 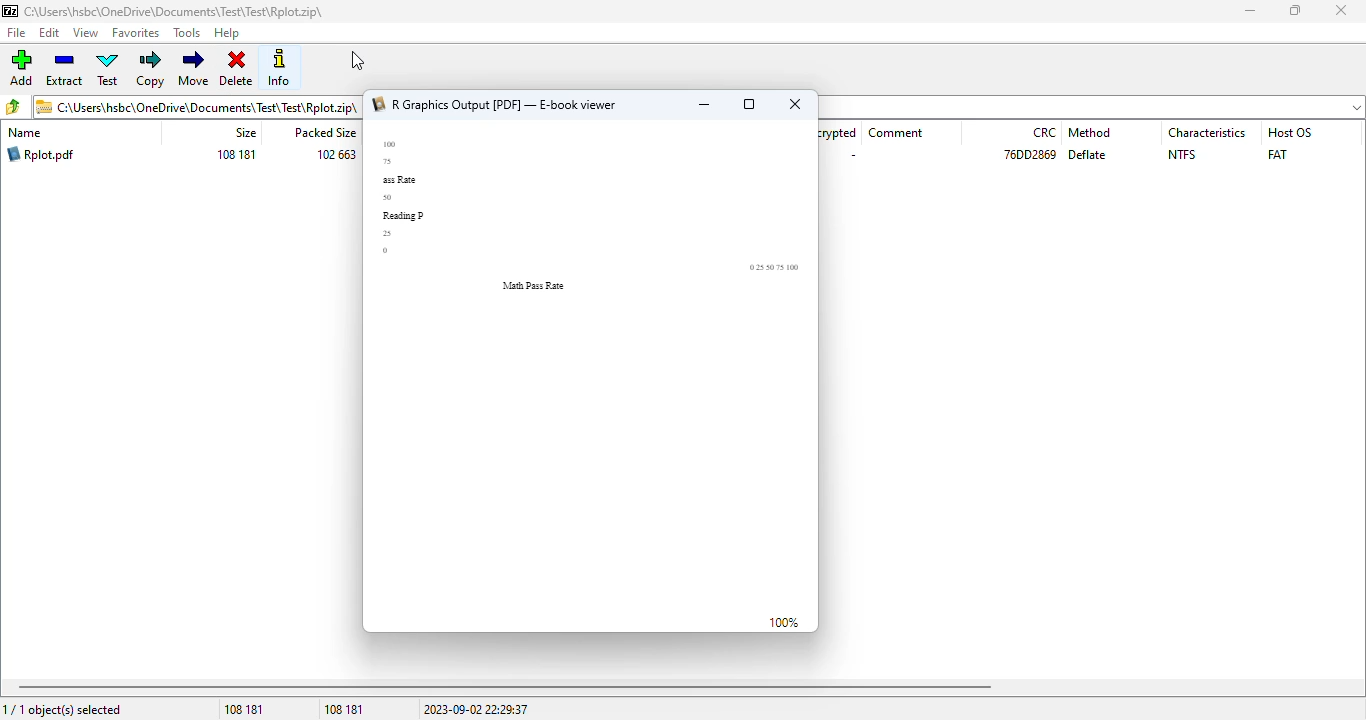 I want to click on delete, so click(x=237, y=68).